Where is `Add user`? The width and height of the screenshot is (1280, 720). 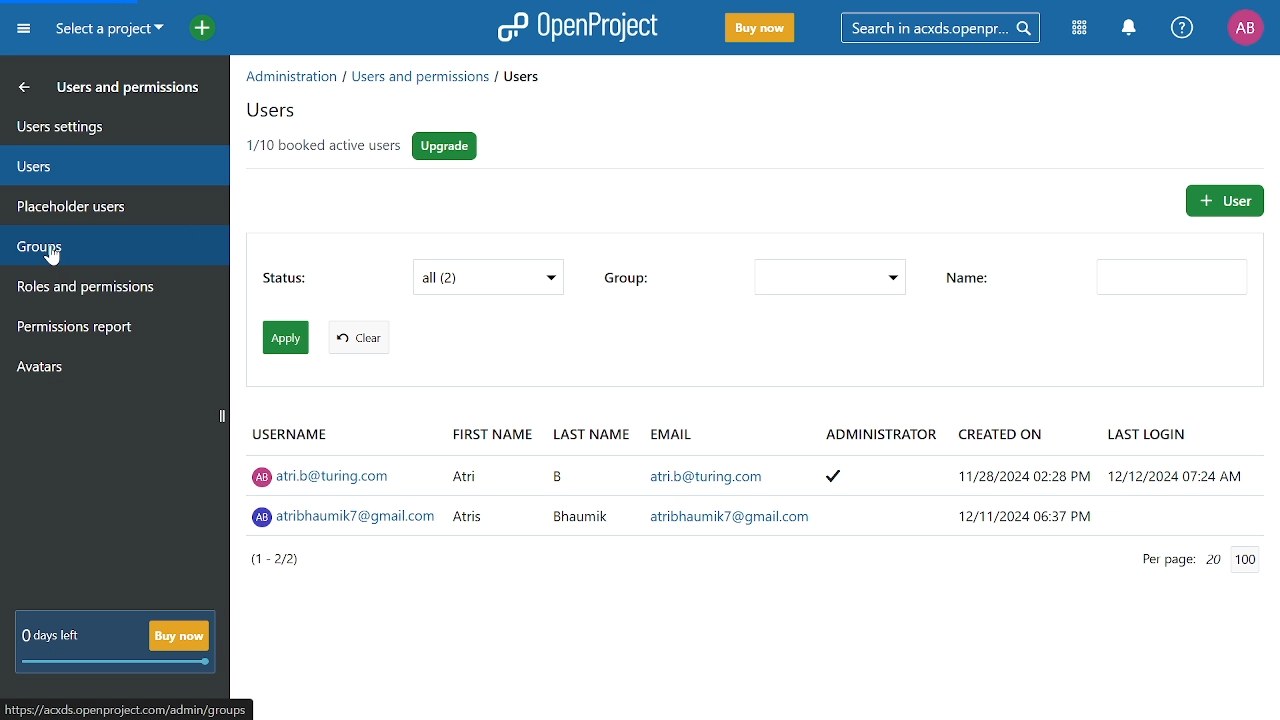
Add user is located at coordinates (1223, 200).